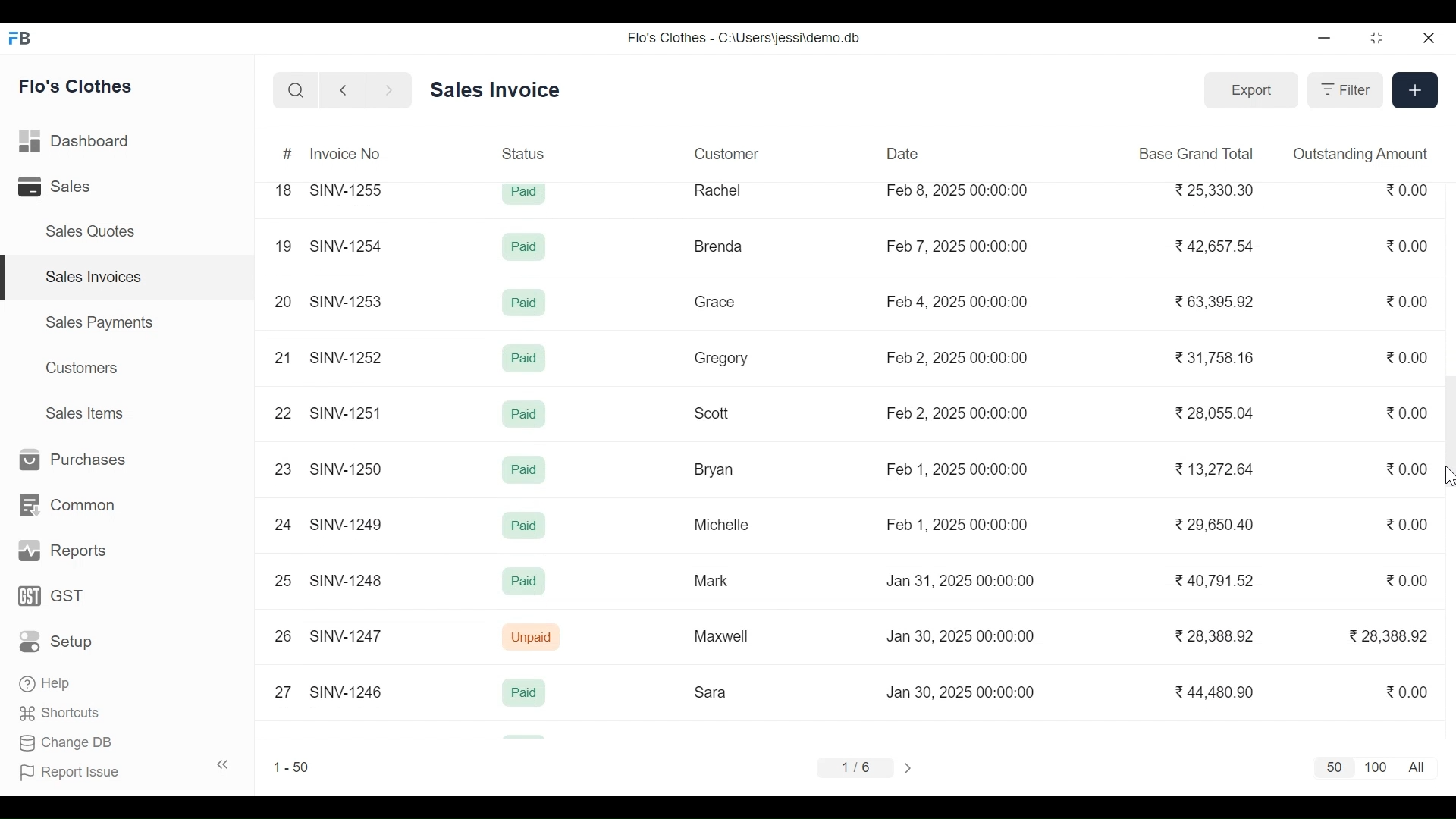 This screenshot has width=1456, height=819. I want to click on Outstanding Amount, so click(1360, 153).